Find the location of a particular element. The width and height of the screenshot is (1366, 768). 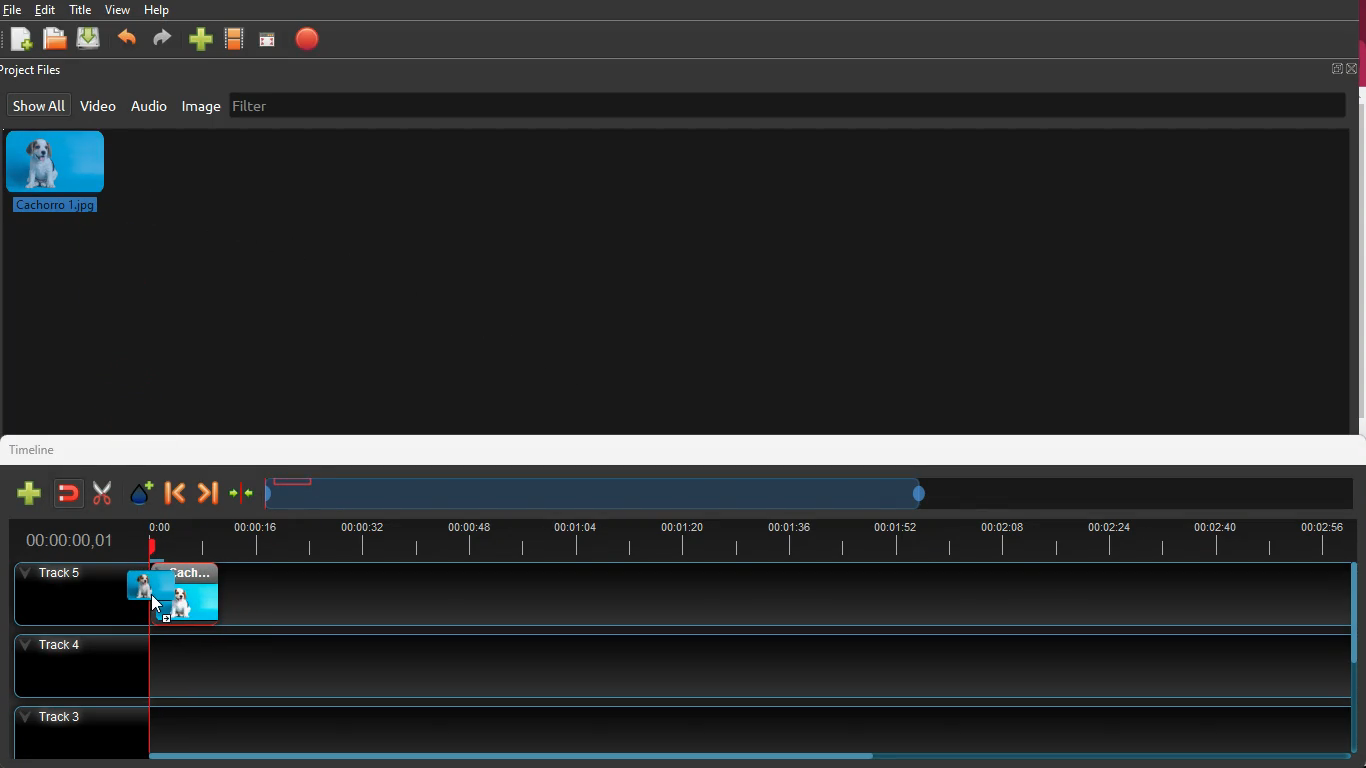

Horizontal scroll bar is located at coordinates (531, 756).